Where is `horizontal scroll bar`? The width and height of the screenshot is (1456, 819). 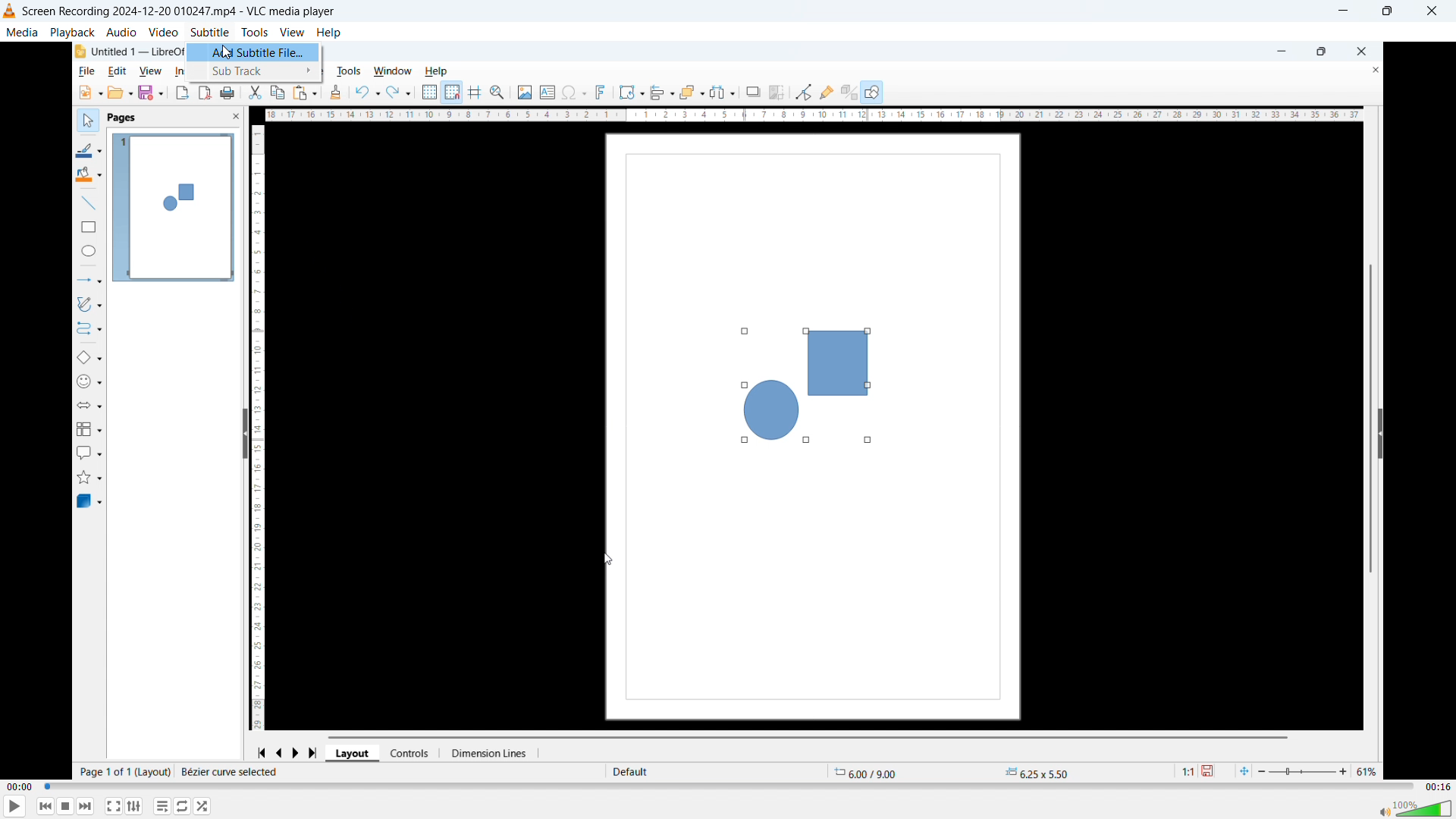 horizontal scroll bar is located at coordinates (812, 736).